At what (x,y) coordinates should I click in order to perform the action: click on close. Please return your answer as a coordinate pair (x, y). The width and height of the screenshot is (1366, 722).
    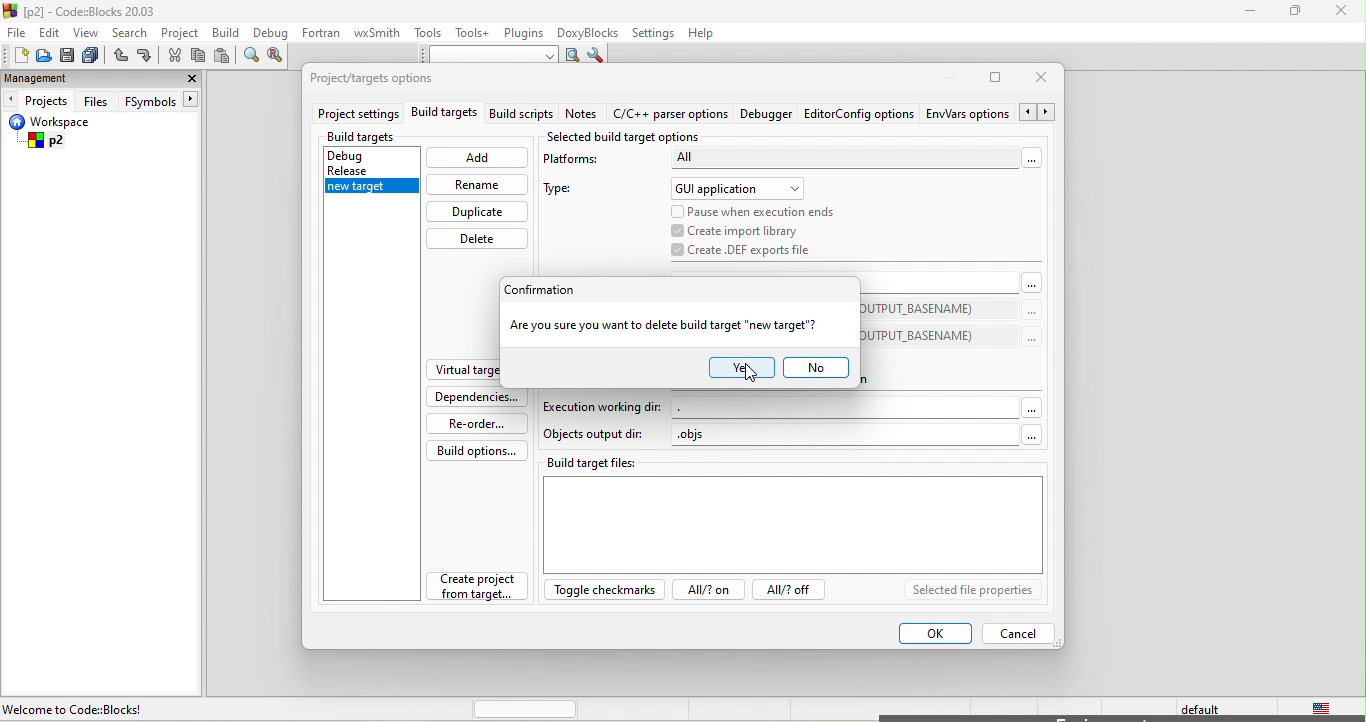
    Looking at the image, I should click on (1341, 15).